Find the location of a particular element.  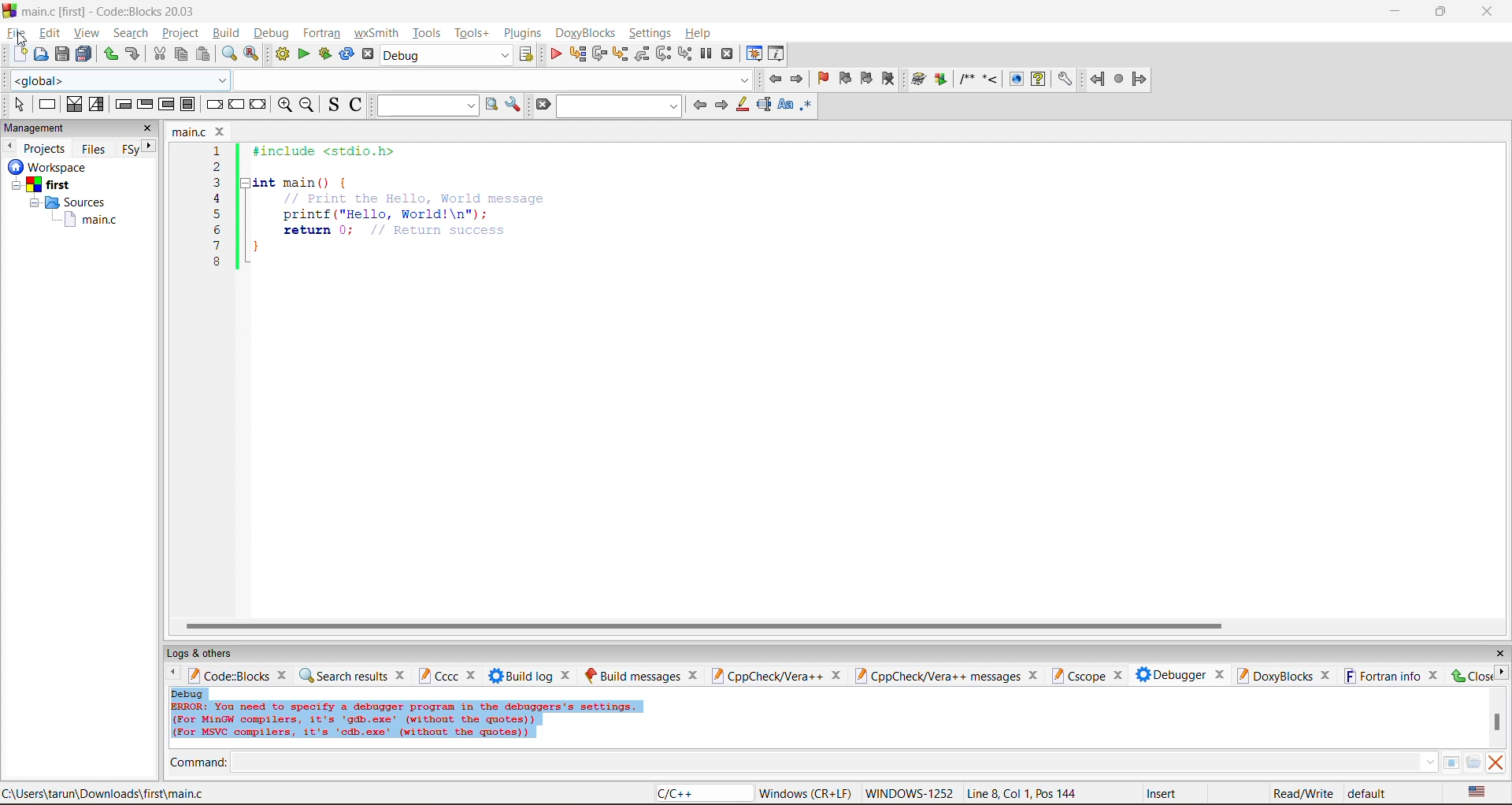

down is located at coordinates (1429, 762).